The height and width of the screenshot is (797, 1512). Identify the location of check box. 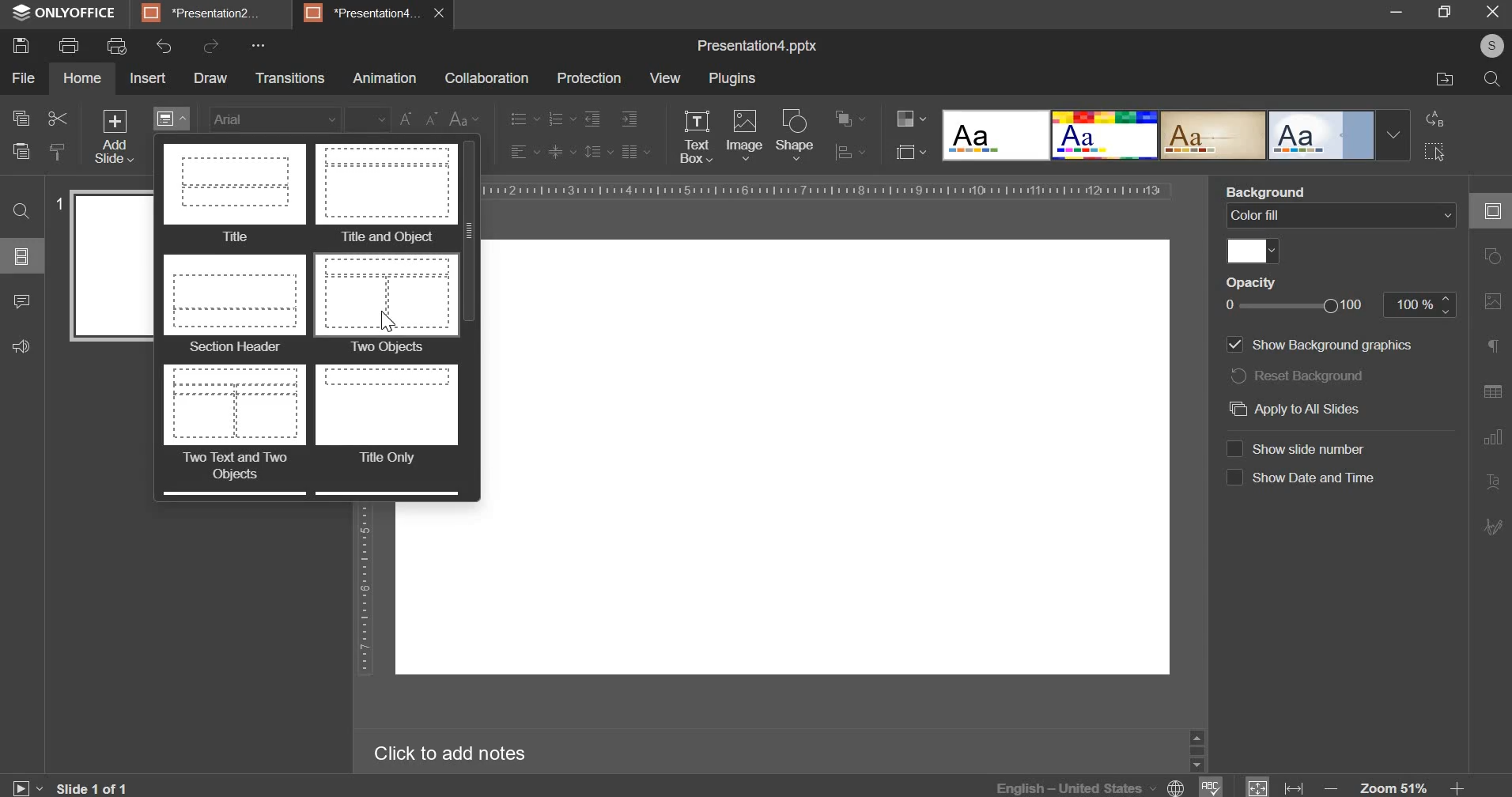
(1234, 478).